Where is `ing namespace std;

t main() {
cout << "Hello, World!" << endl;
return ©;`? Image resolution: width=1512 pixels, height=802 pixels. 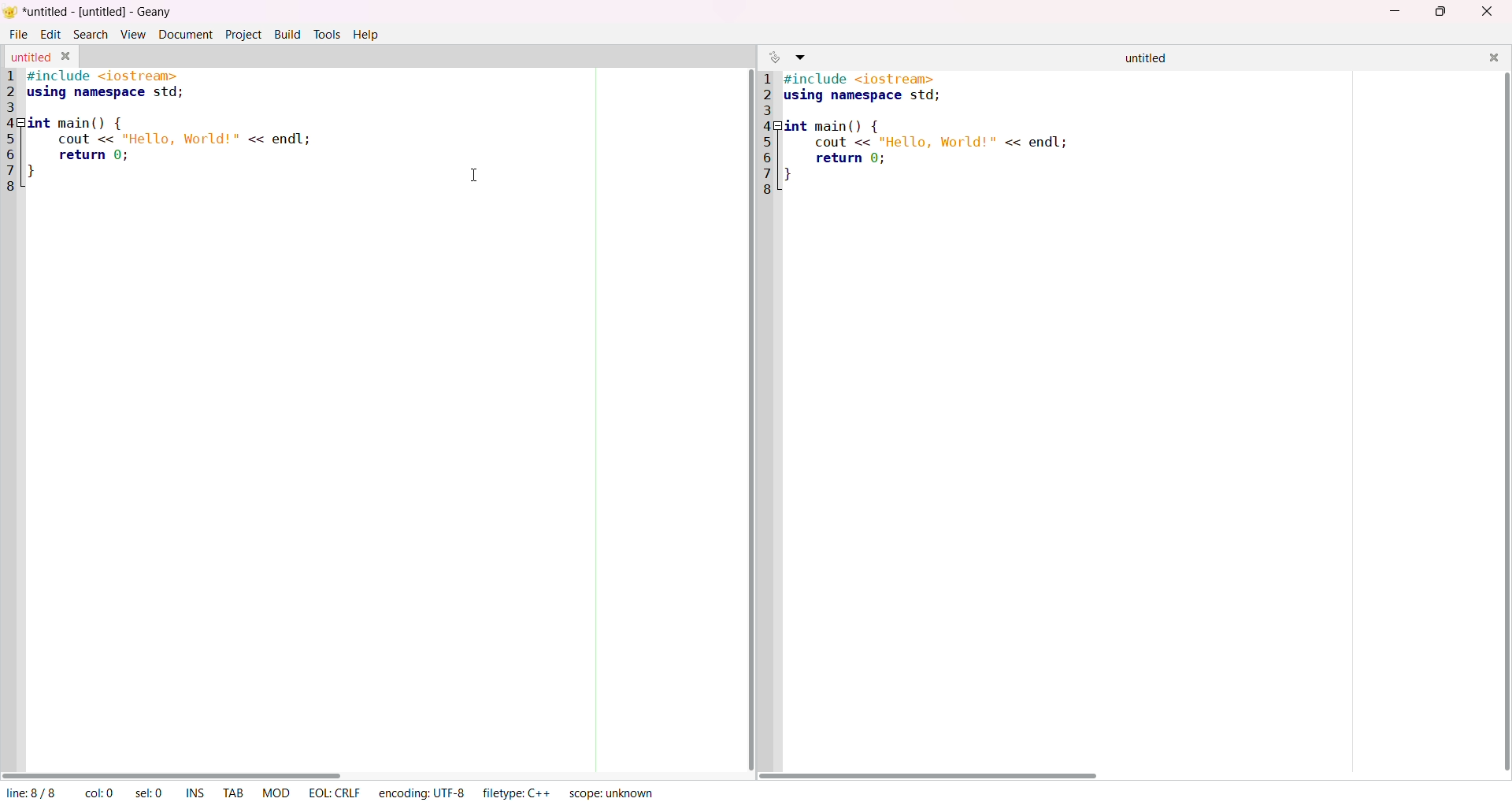
ing namespace std;

t main() {
cout << "Hello, World!" << endl;
return ©; is located at coordinates (173, 122).